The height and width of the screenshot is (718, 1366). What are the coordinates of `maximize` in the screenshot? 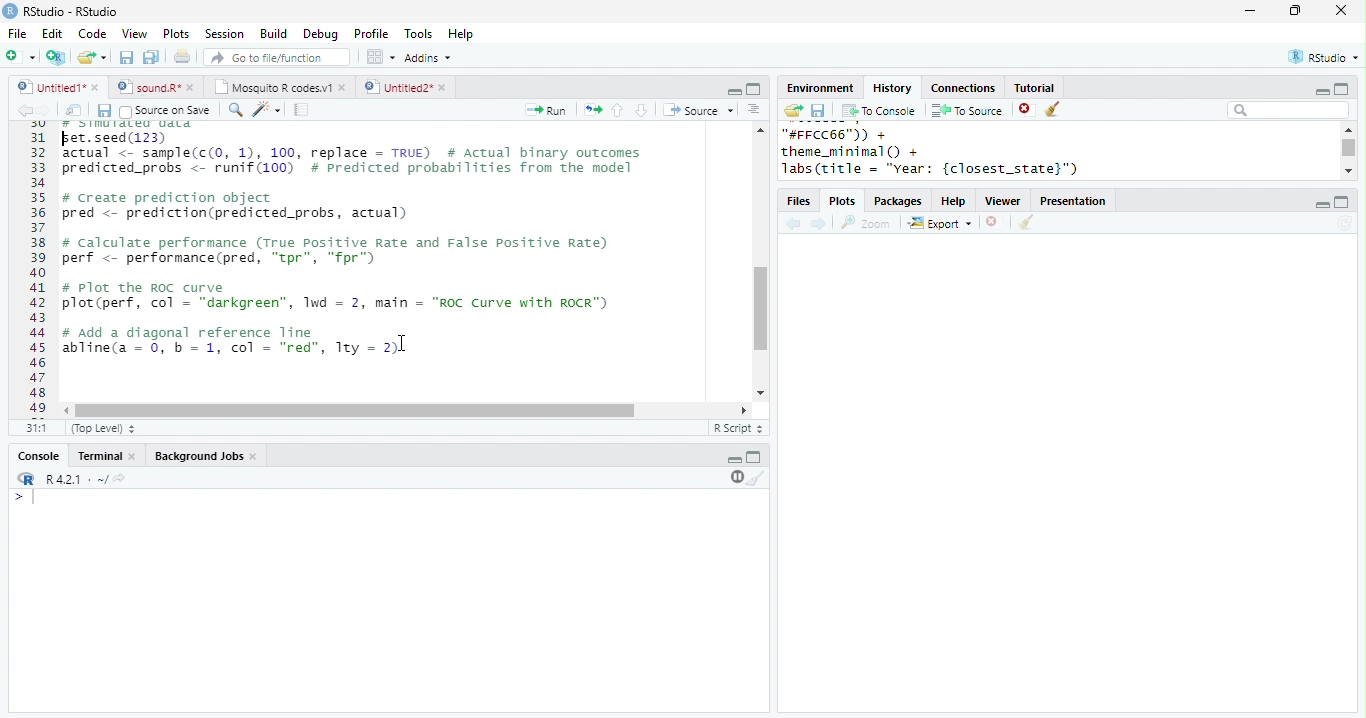 It's located at (1342, 202).